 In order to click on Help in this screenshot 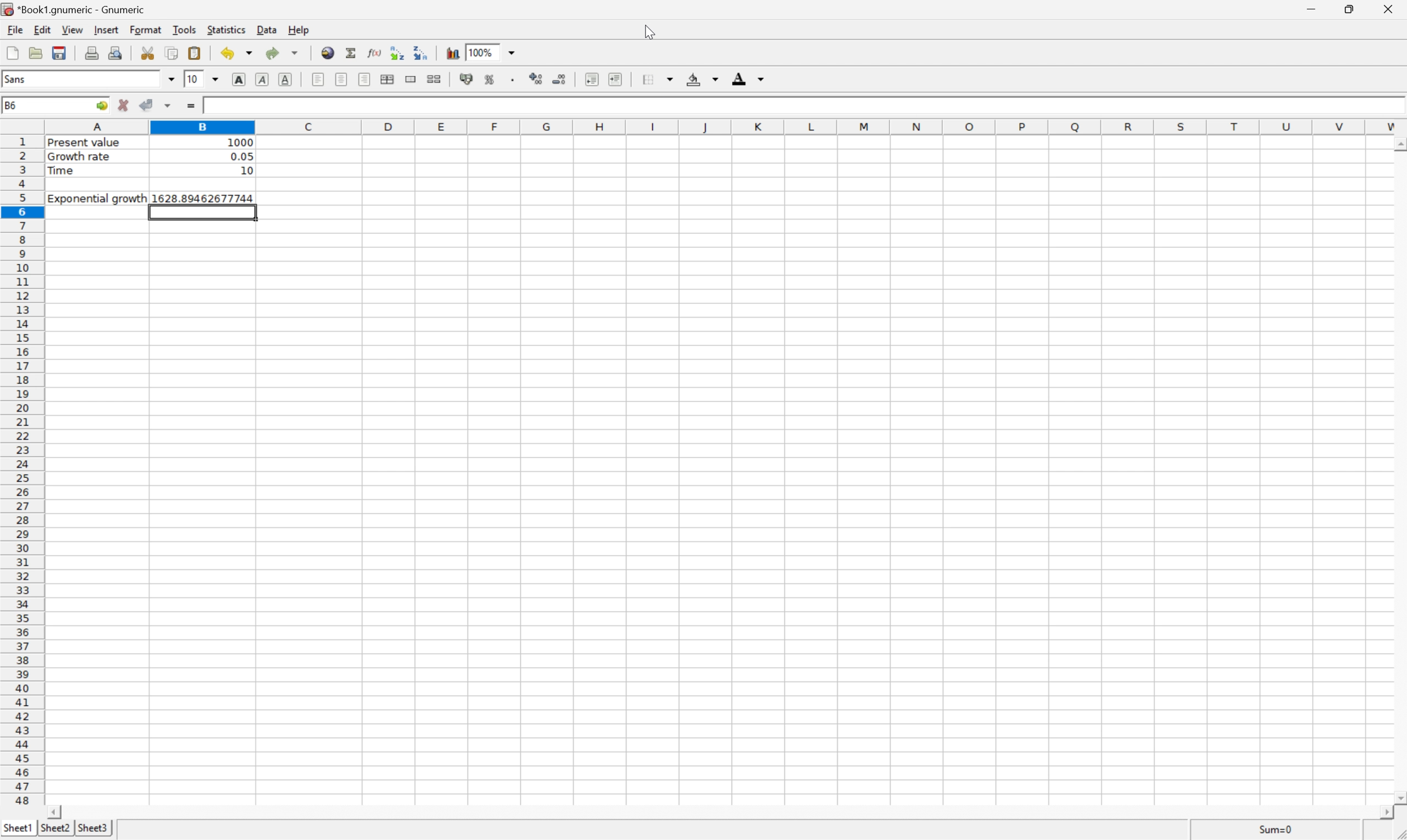, I will do `click(299, 30)`.